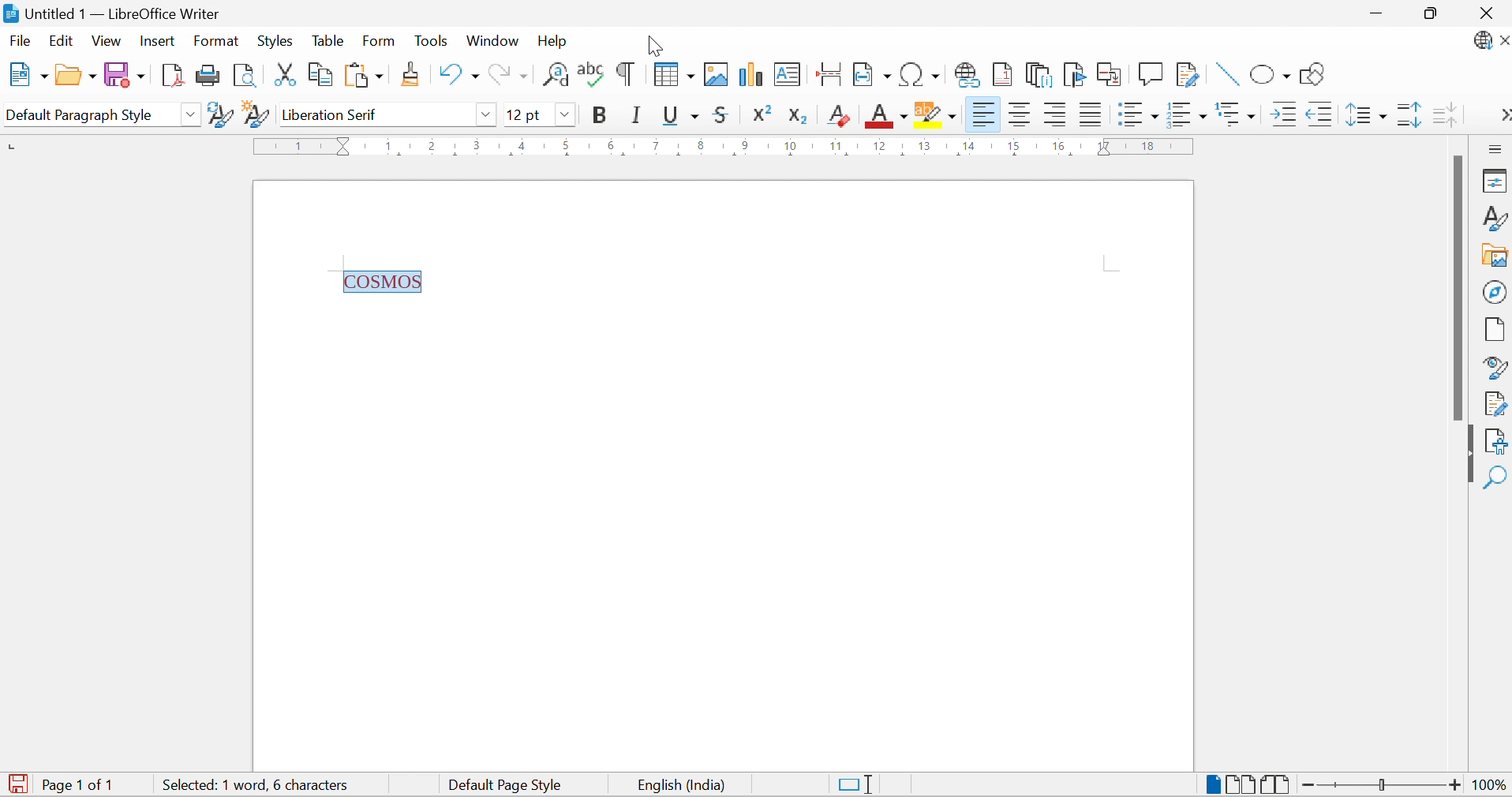  Describe the element at coordinates (1313, 75) in the screenshot. I see `Show Draw Functions` at that location.